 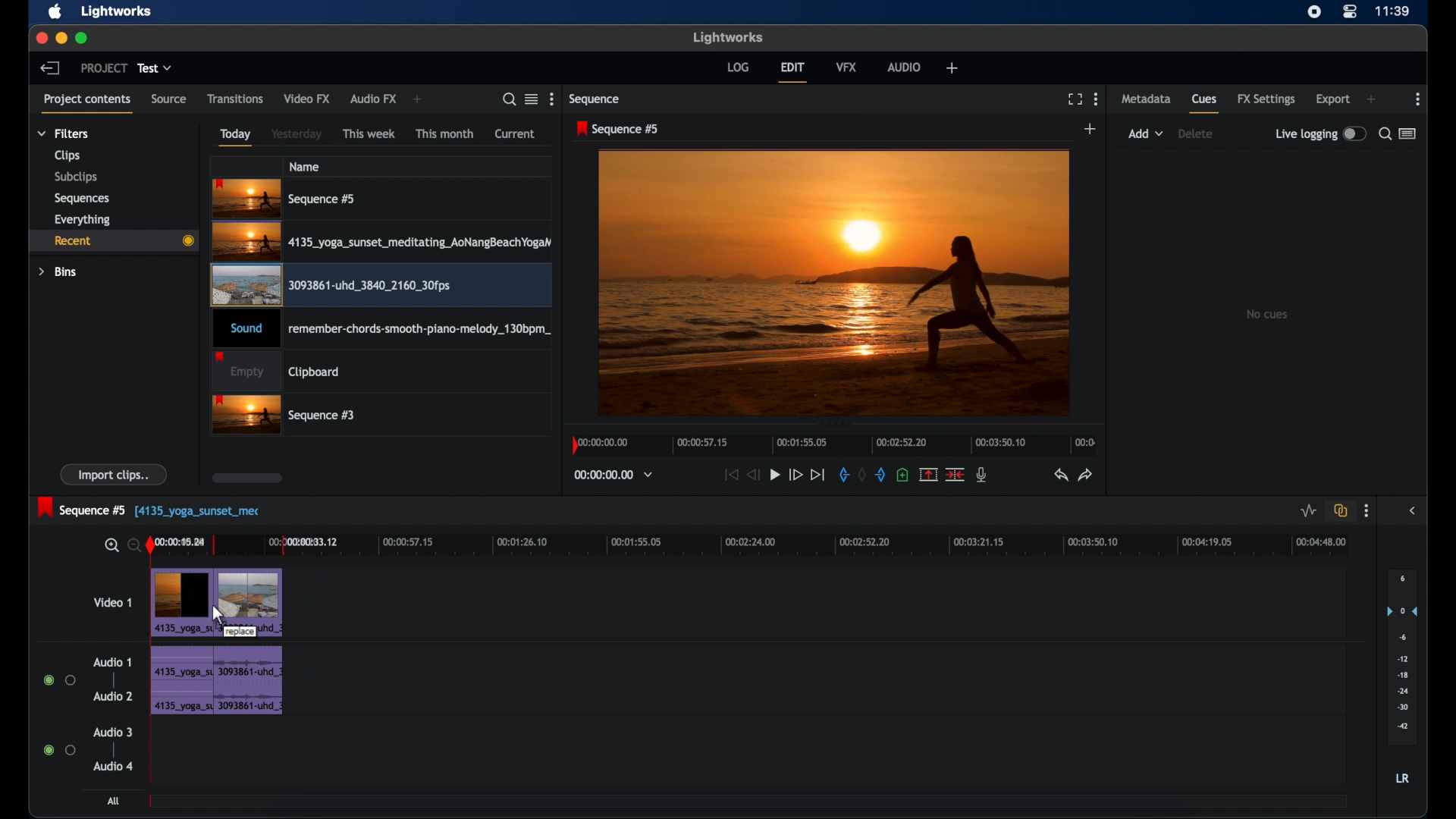 What do you see at coordinates (120, 546) in the screenshot?
I see `zoom` at bounding box center [120, 546].